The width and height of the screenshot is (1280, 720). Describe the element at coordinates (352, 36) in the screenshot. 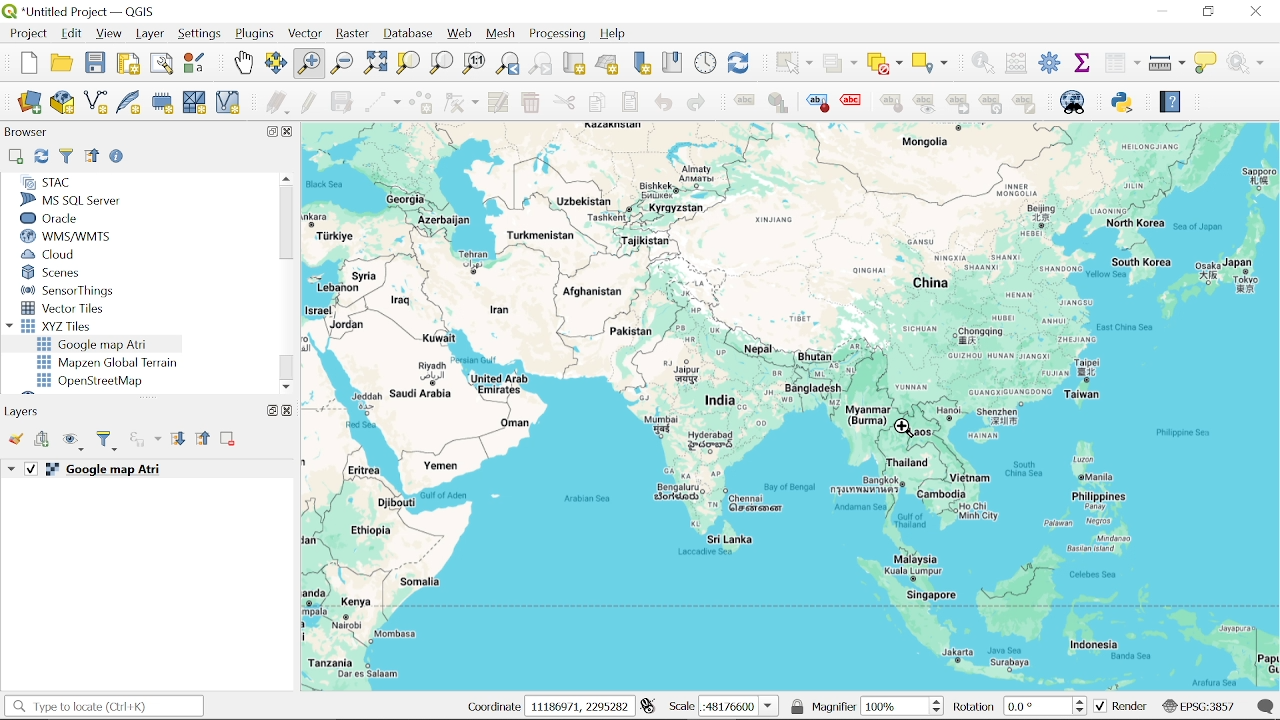

I see `Raster` at that location.